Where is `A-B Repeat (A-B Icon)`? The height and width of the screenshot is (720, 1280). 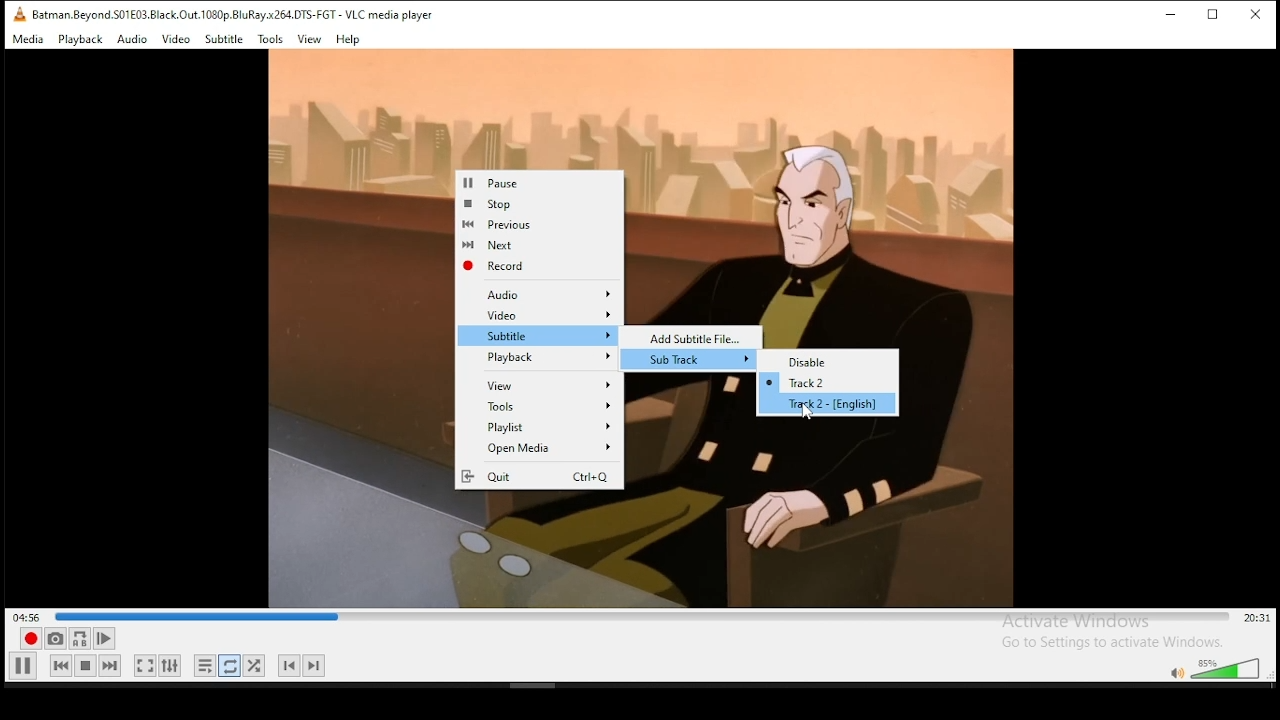
A-B Repeat (A-B Icon) is located at coordinates (81, 639).